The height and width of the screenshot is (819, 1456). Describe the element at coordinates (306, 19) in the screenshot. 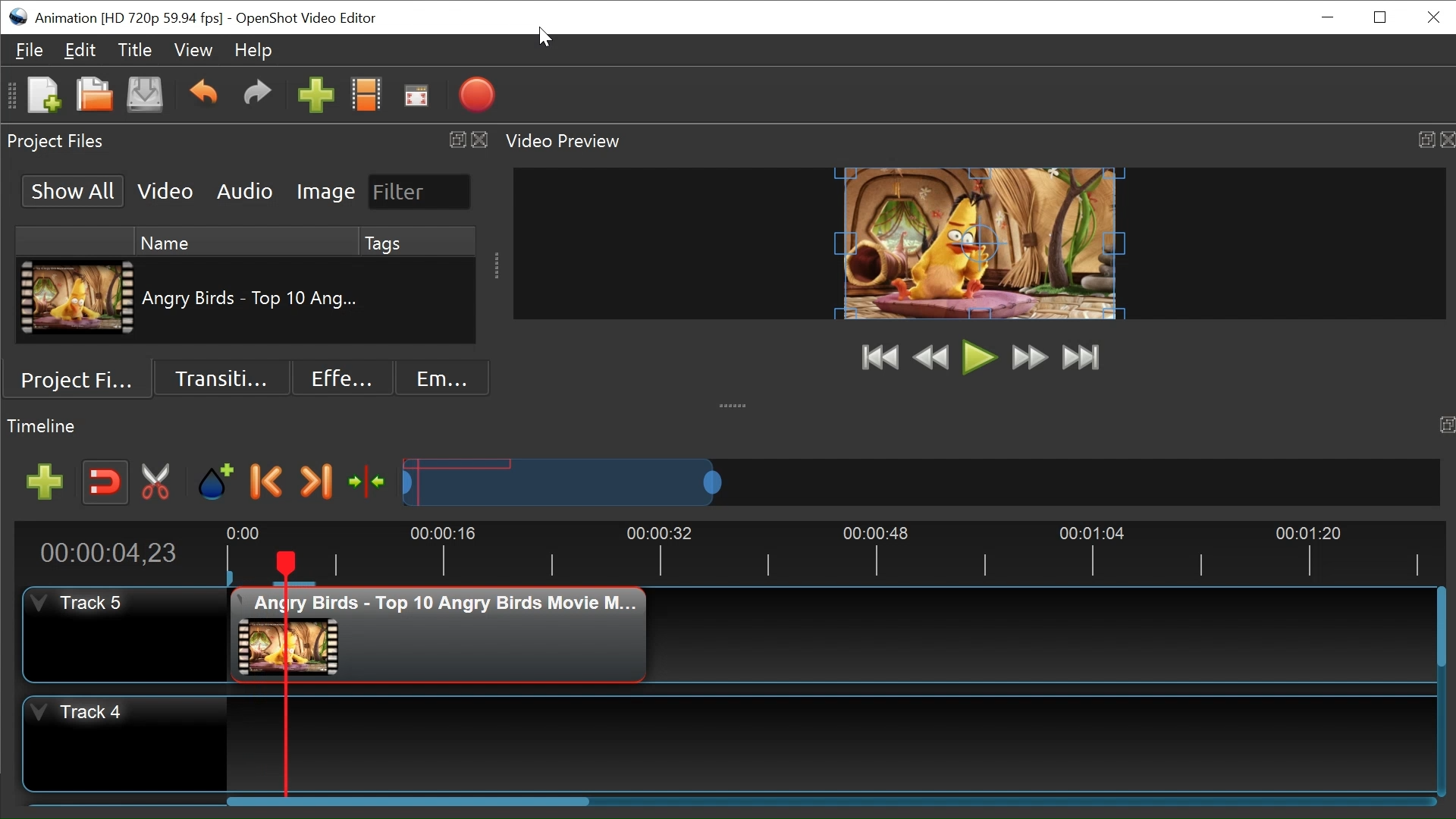

I see `OpenShot Video Editor` at that location.